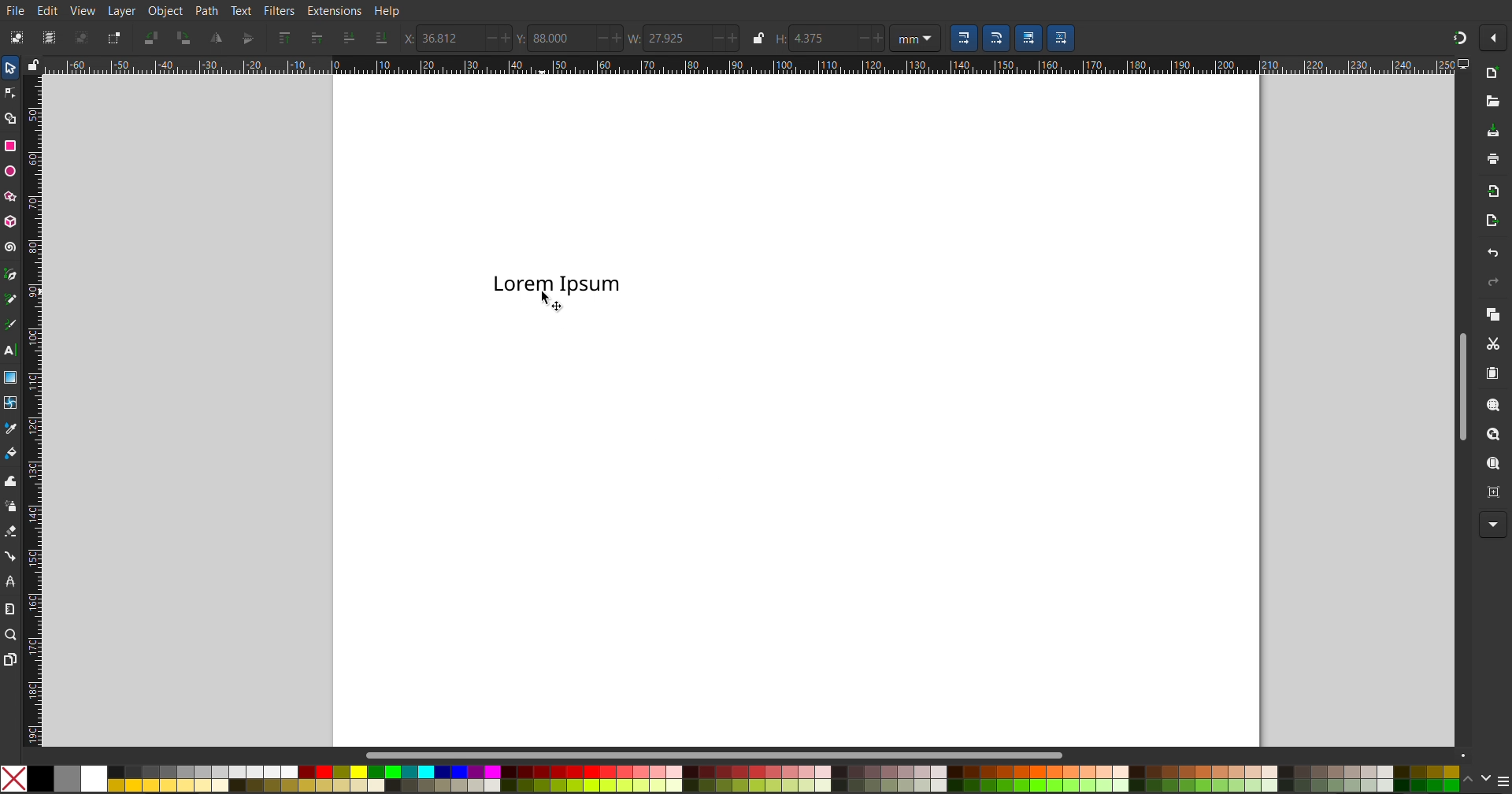 The height and width of the screenshot is (794, 1512). Describe the element at coordinates (10, 70) in the screenshot. I see `Select` at that location.